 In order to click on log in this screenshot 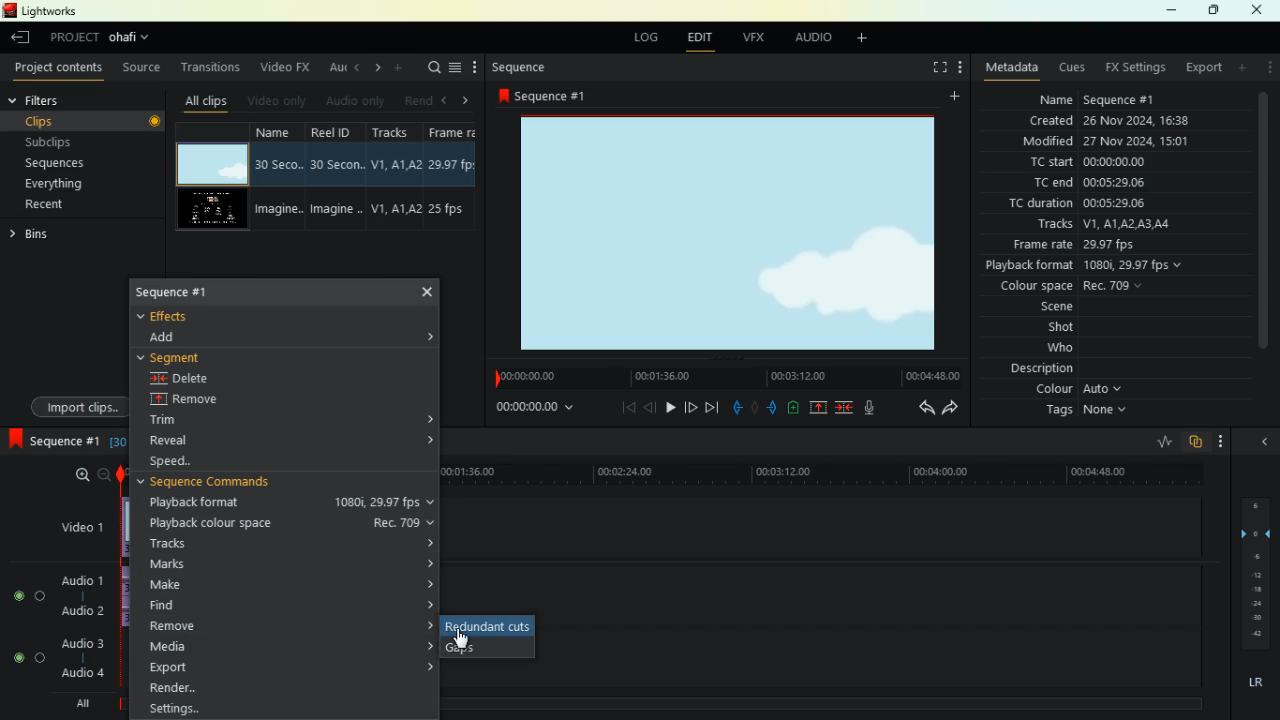, I will do `click(641, 38)`.